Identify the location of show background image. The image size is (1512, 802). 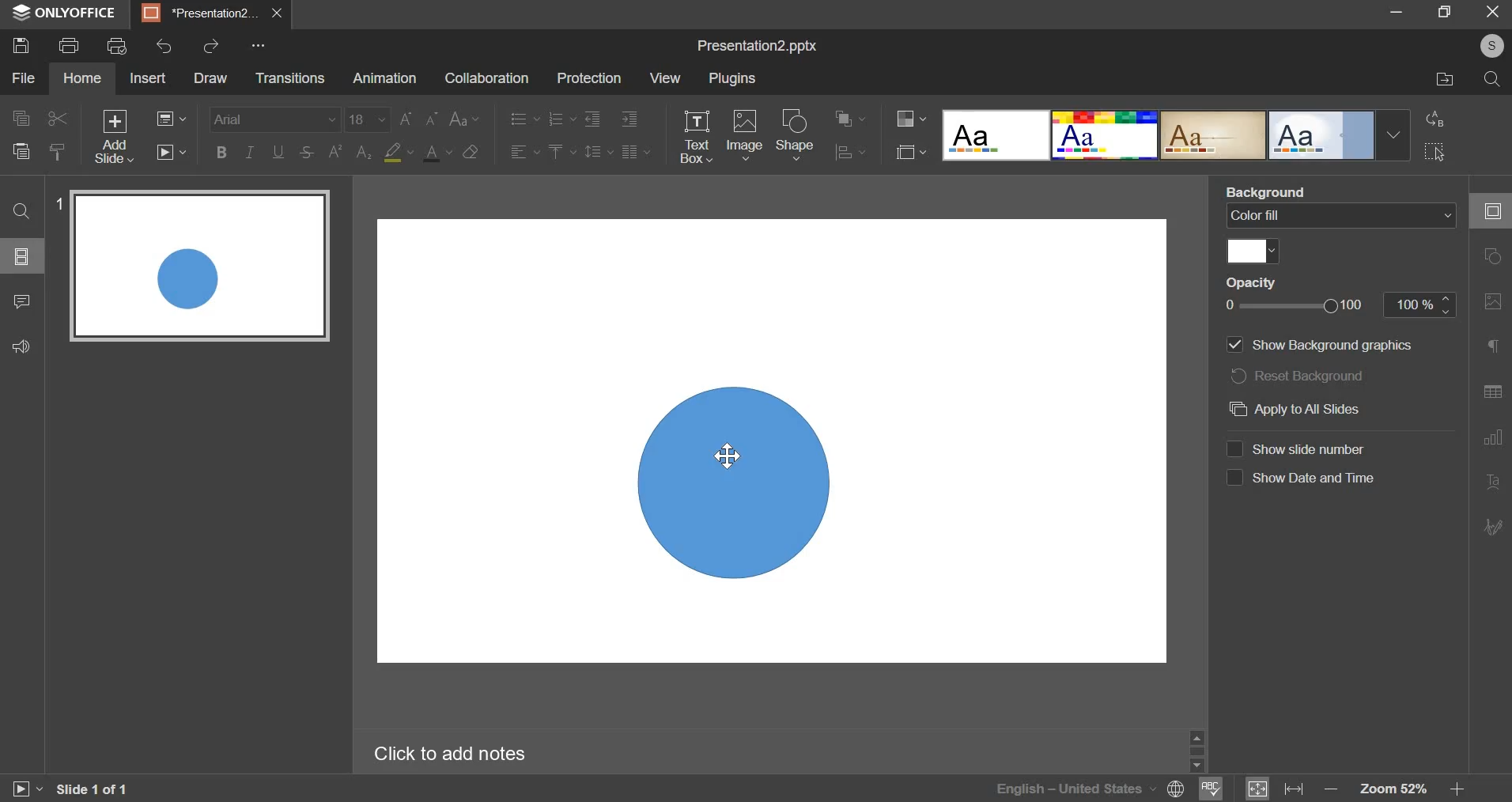
(1236, 347).